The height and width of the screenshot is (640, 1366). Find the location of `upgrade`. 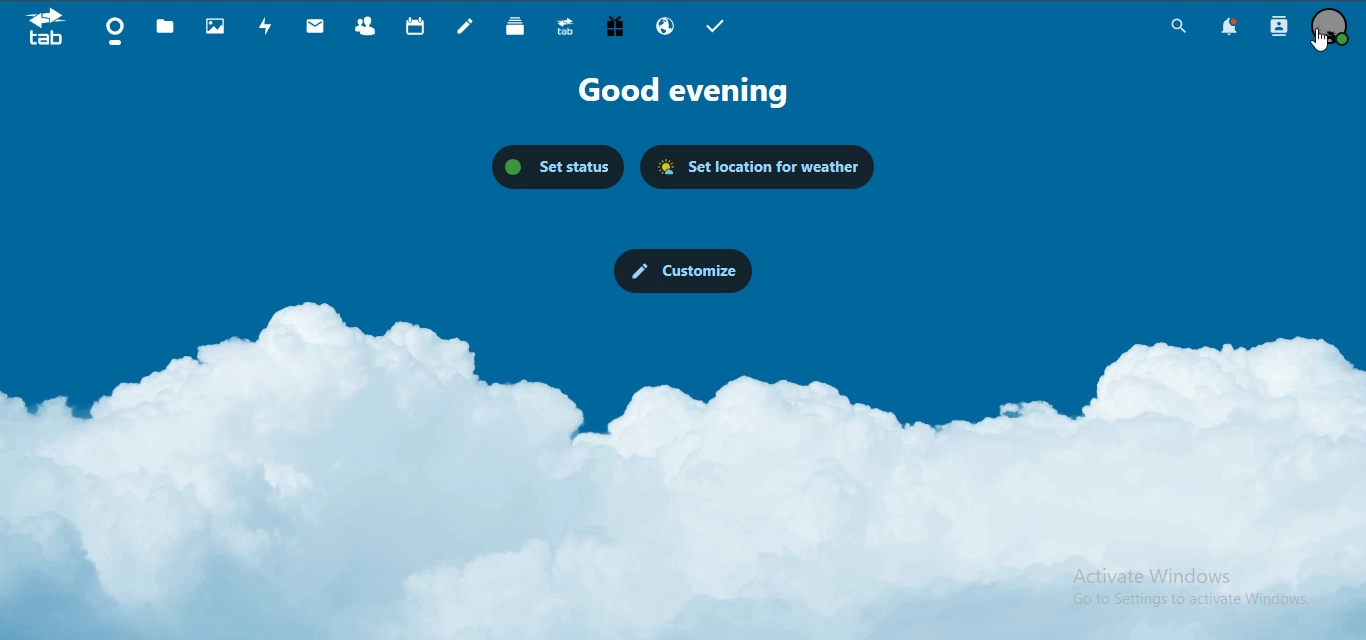

upgrade is located at coordinates (568, 29).